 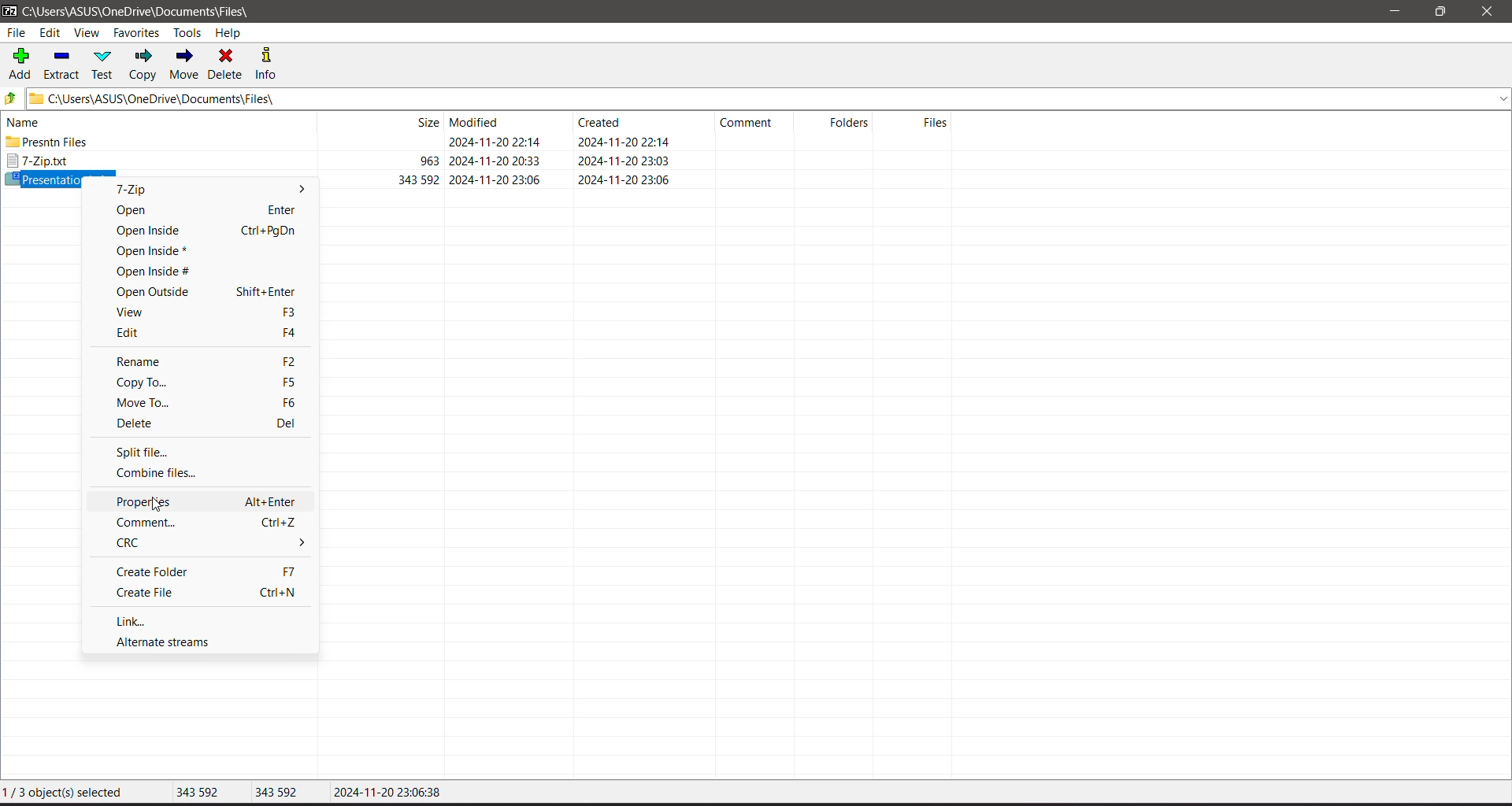 What do you see at coordinates (187, 231) in the screenshot?
I see `Open Inside` at bounding box center [187, 231].